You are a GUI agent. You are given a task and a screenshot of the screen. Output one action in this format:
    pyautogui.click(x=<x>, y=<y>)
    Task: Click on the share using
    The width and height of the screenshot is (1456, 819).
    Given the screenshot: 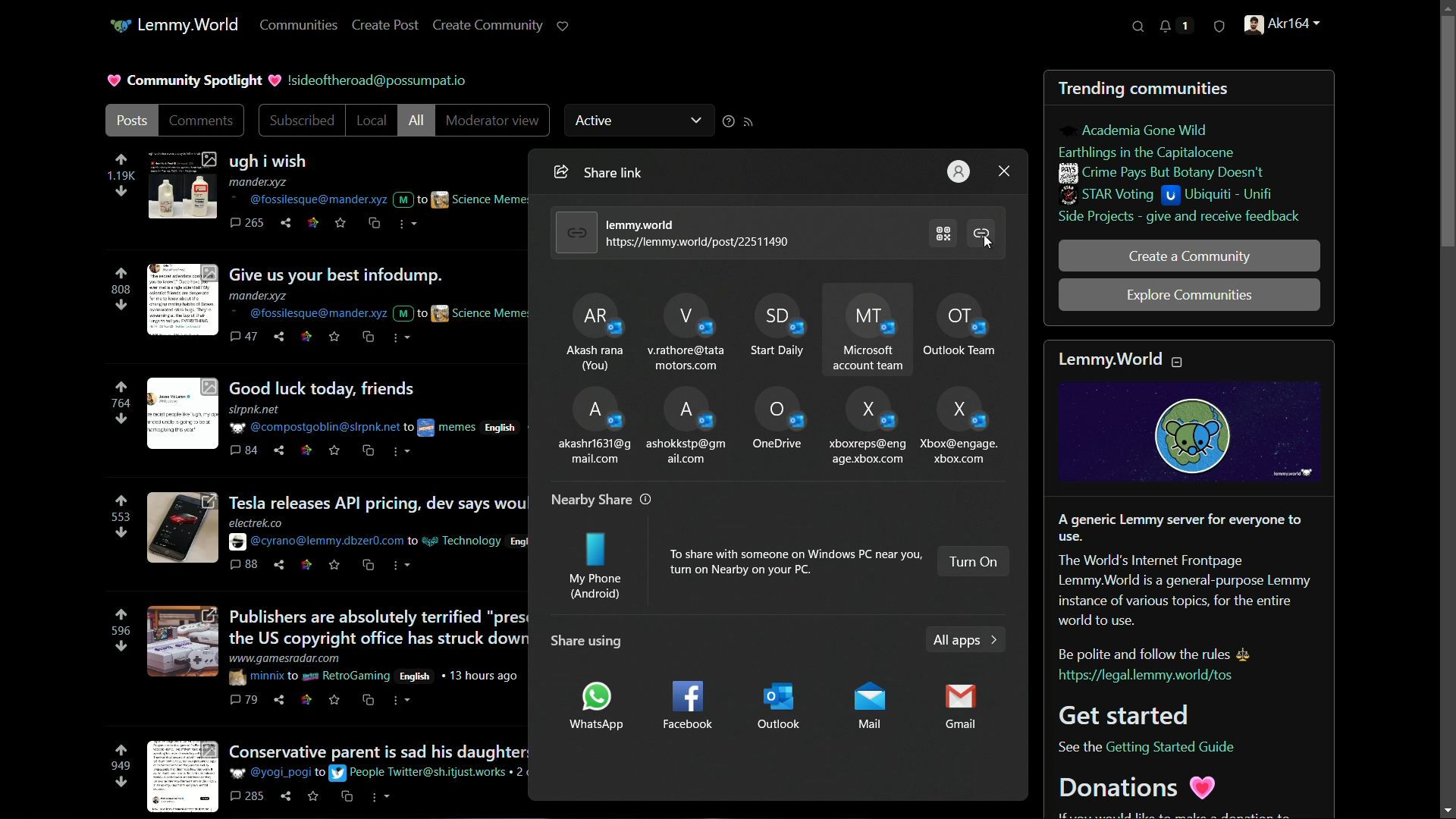 What is the action you would take?
    pyautogui.click(x=583, y=641)
    